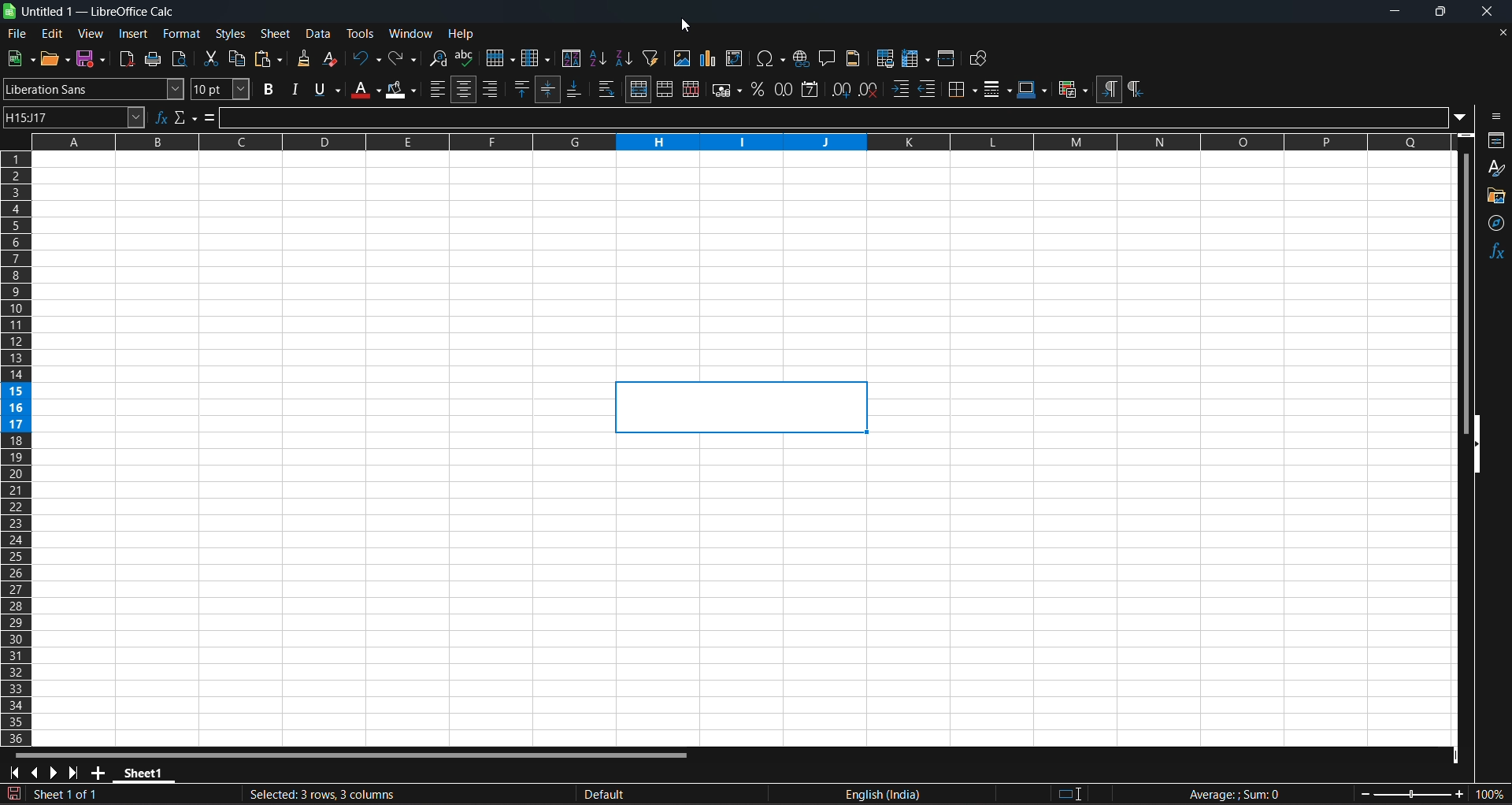 This screenshot has height=805, width=1512. Describe the element at coordinates (364, 90) in the screenshot. I see `font color` at that location.